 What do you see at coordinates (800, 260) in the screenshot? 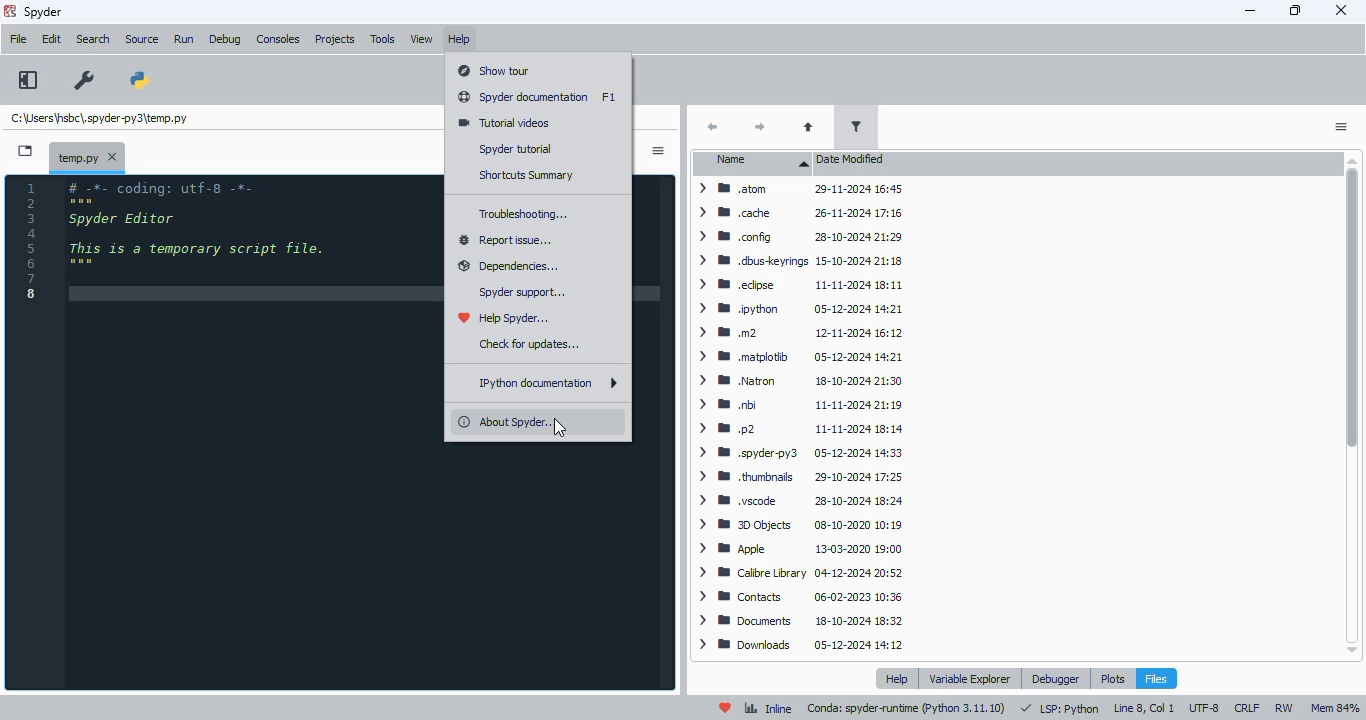
I see `> WM .dbuskeyrings 15-10-2024 21:18` at bounding box center [800, 260].